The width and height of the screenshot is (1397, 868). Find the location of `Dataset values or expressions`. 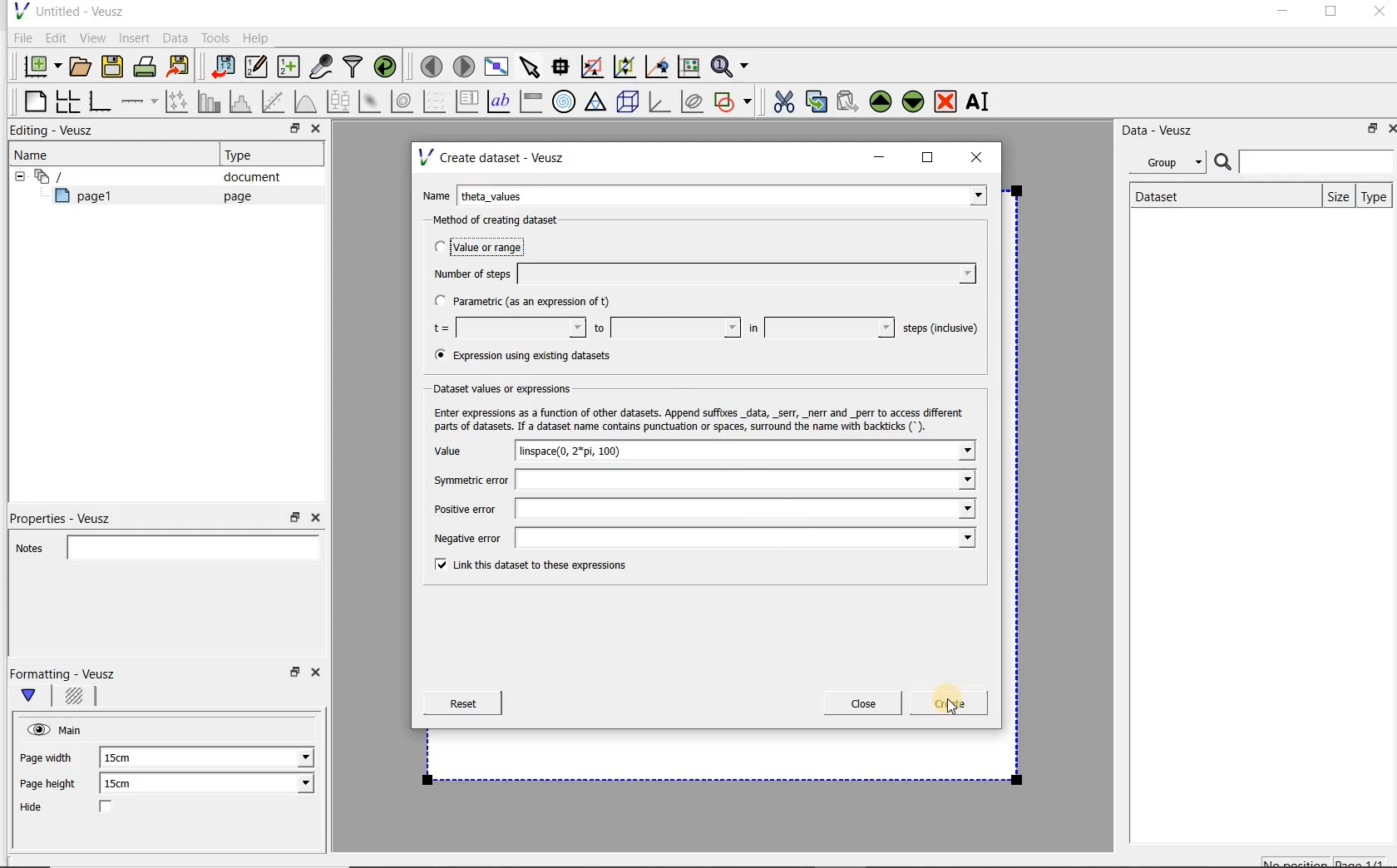

Dataset values or expressions is located at coordinates (511, 388).